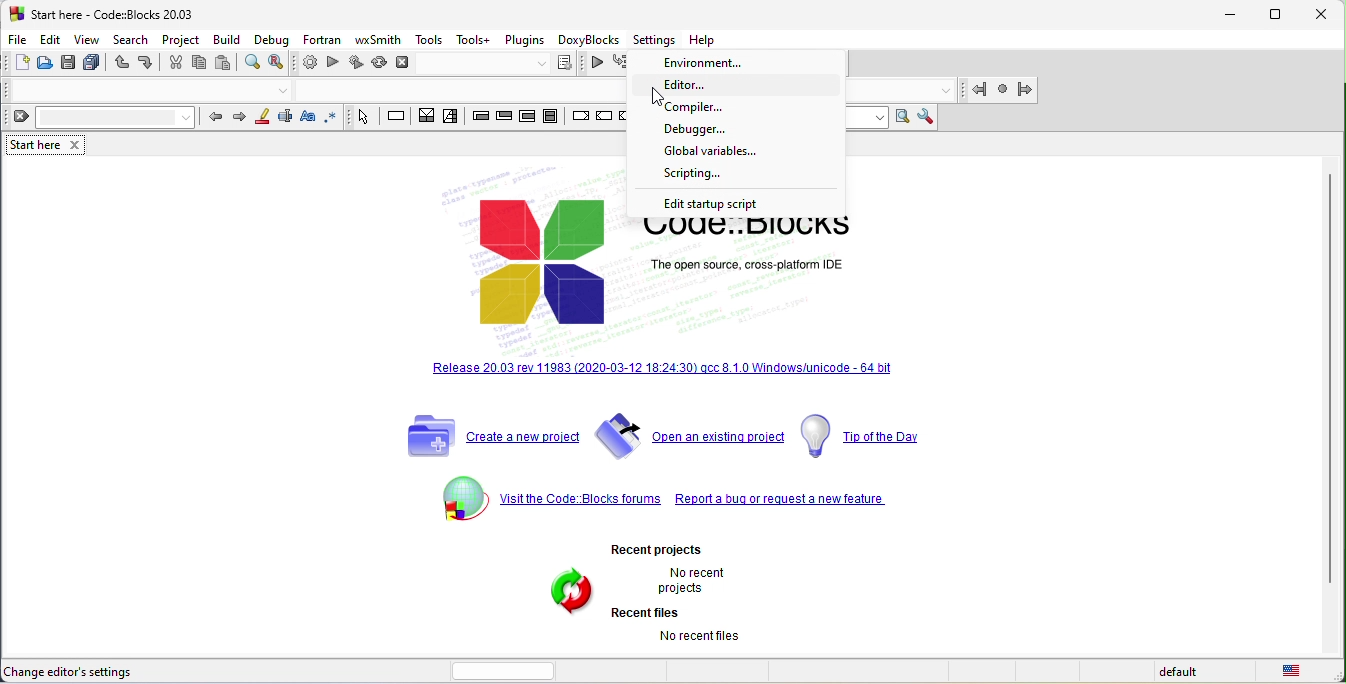 The width and height of the screenshot is (1346, 684). Describe the element at coordinates (178, 64) in the screenshot. I see `cut` at that location.